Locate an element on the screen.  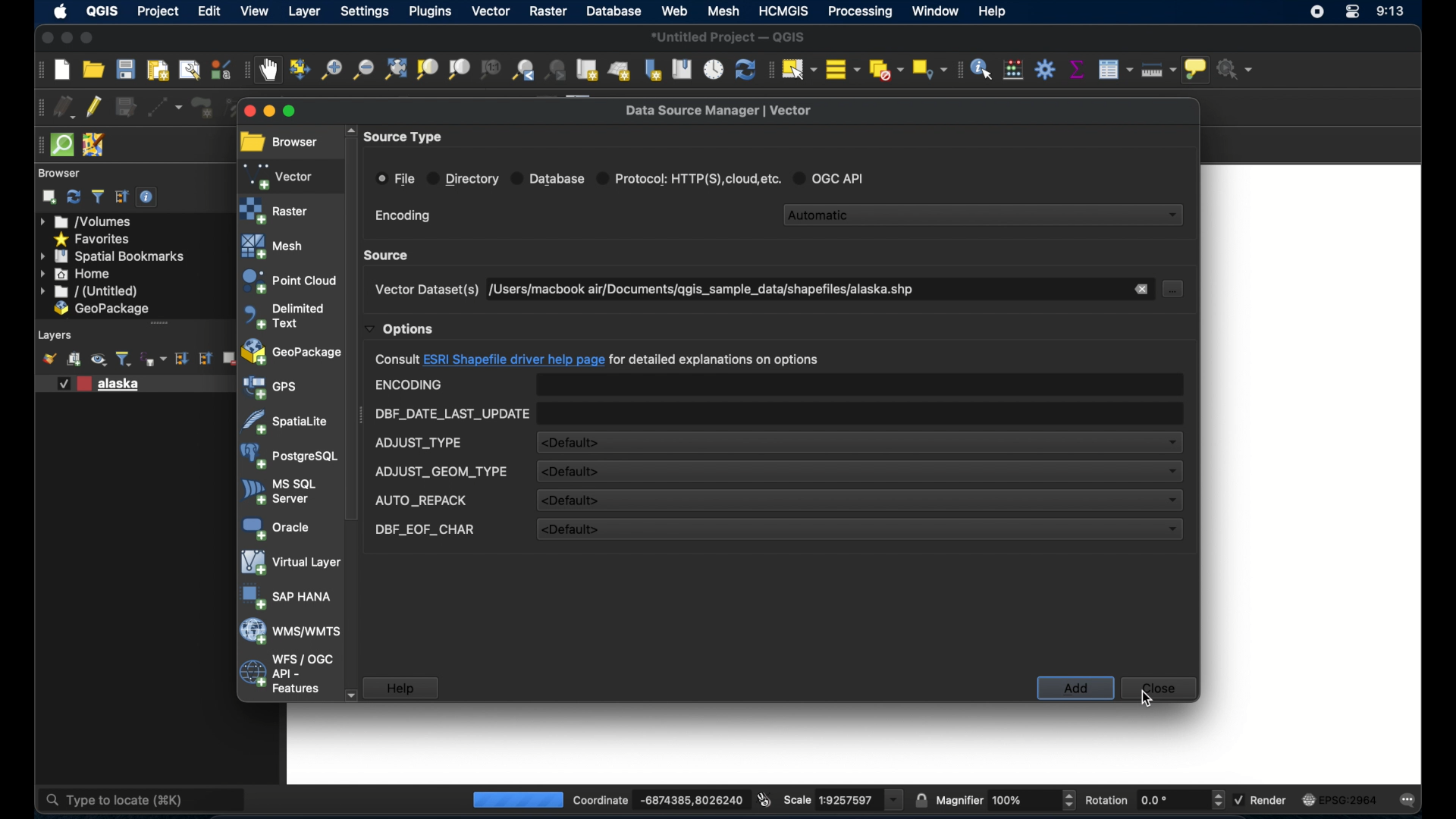
selection toolbar is located at coordinates (770, 69).